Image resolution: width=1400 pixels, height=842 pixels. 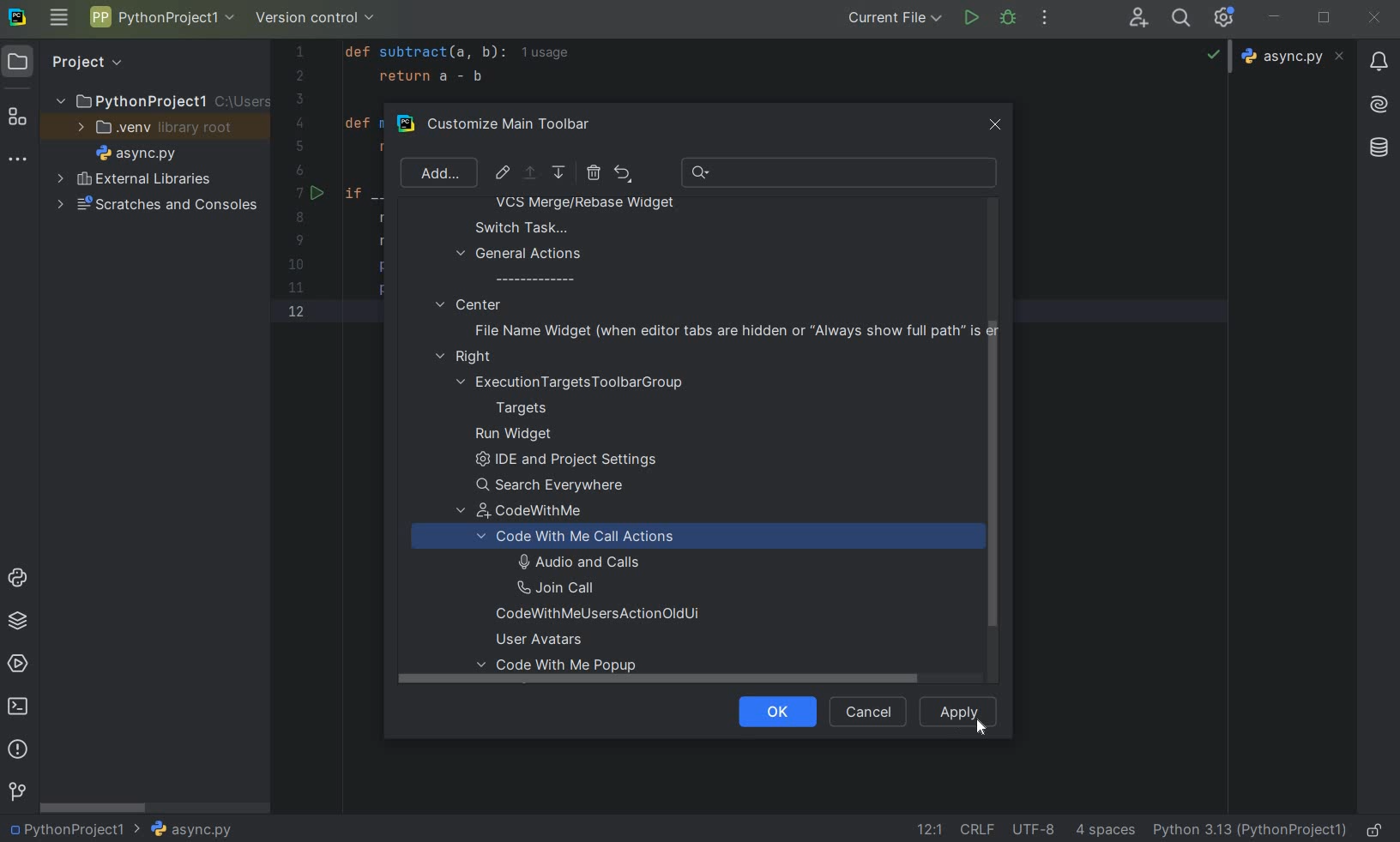 I want to click on PROJECT, so click(x=73, y=62).